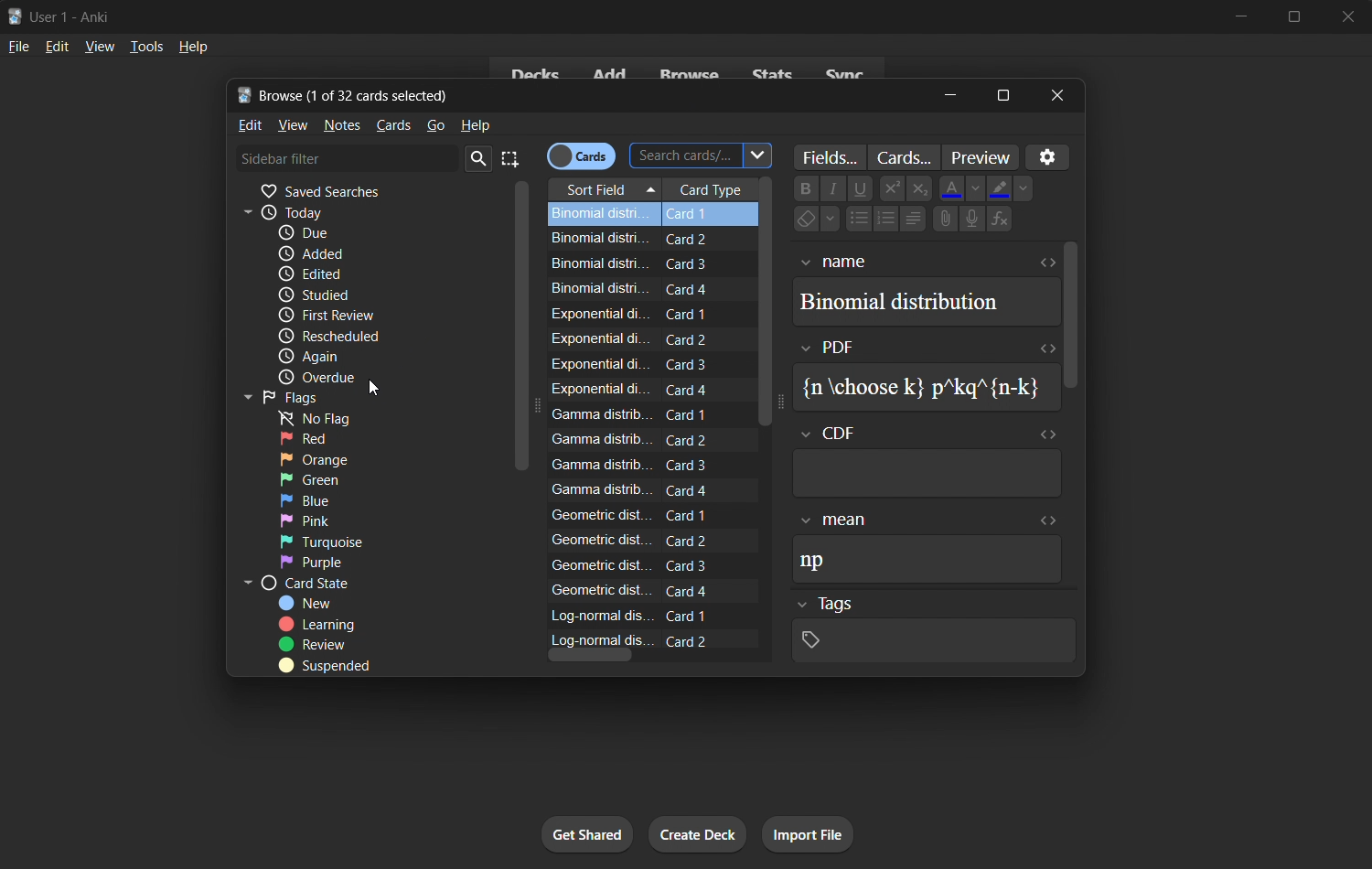 This screenshot has width=1372, height=869. I want to click on Card 3, so click(693, 567).